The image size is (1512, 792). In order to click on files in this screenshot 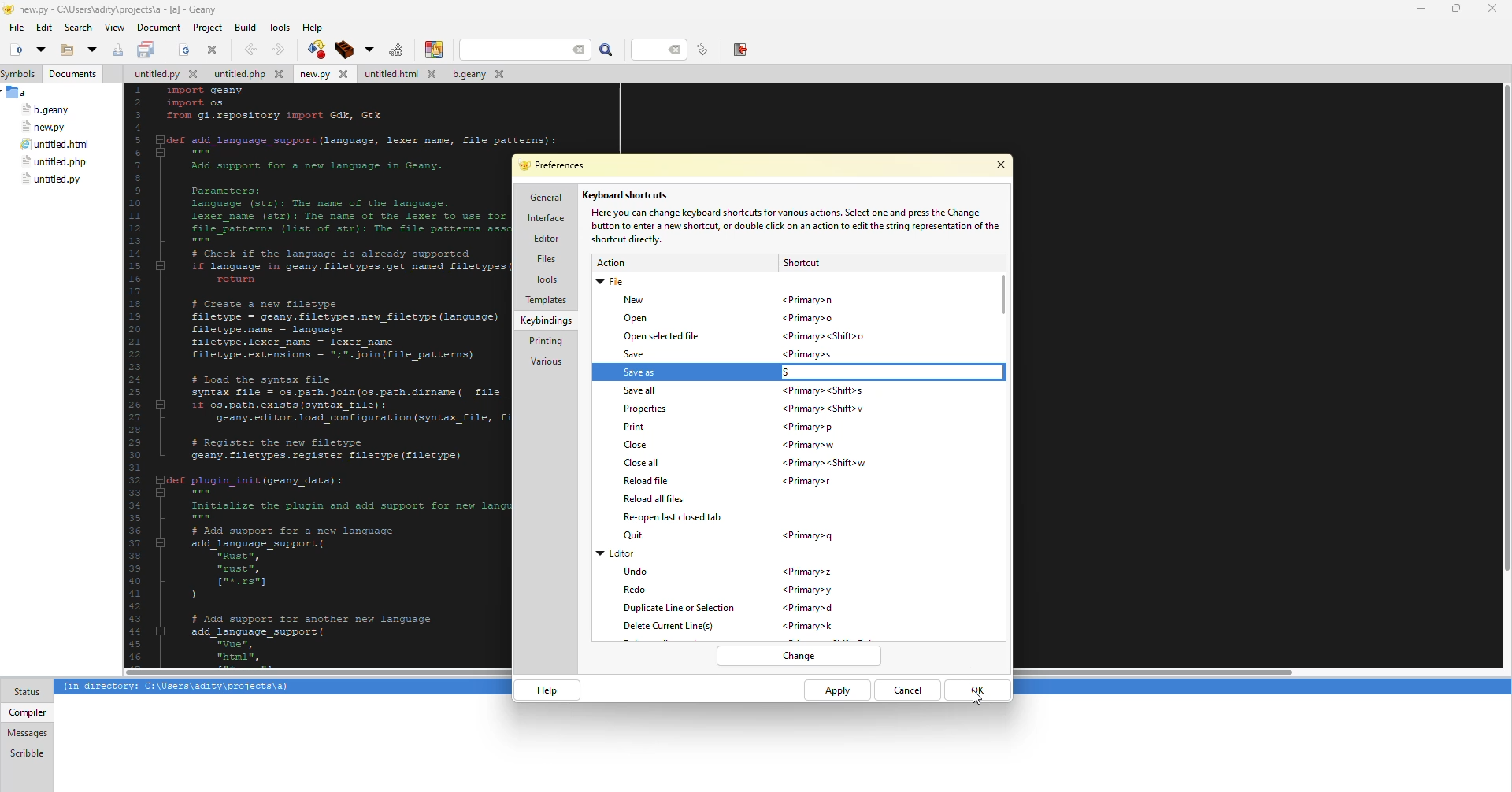, I will do `click(546, 259)`.